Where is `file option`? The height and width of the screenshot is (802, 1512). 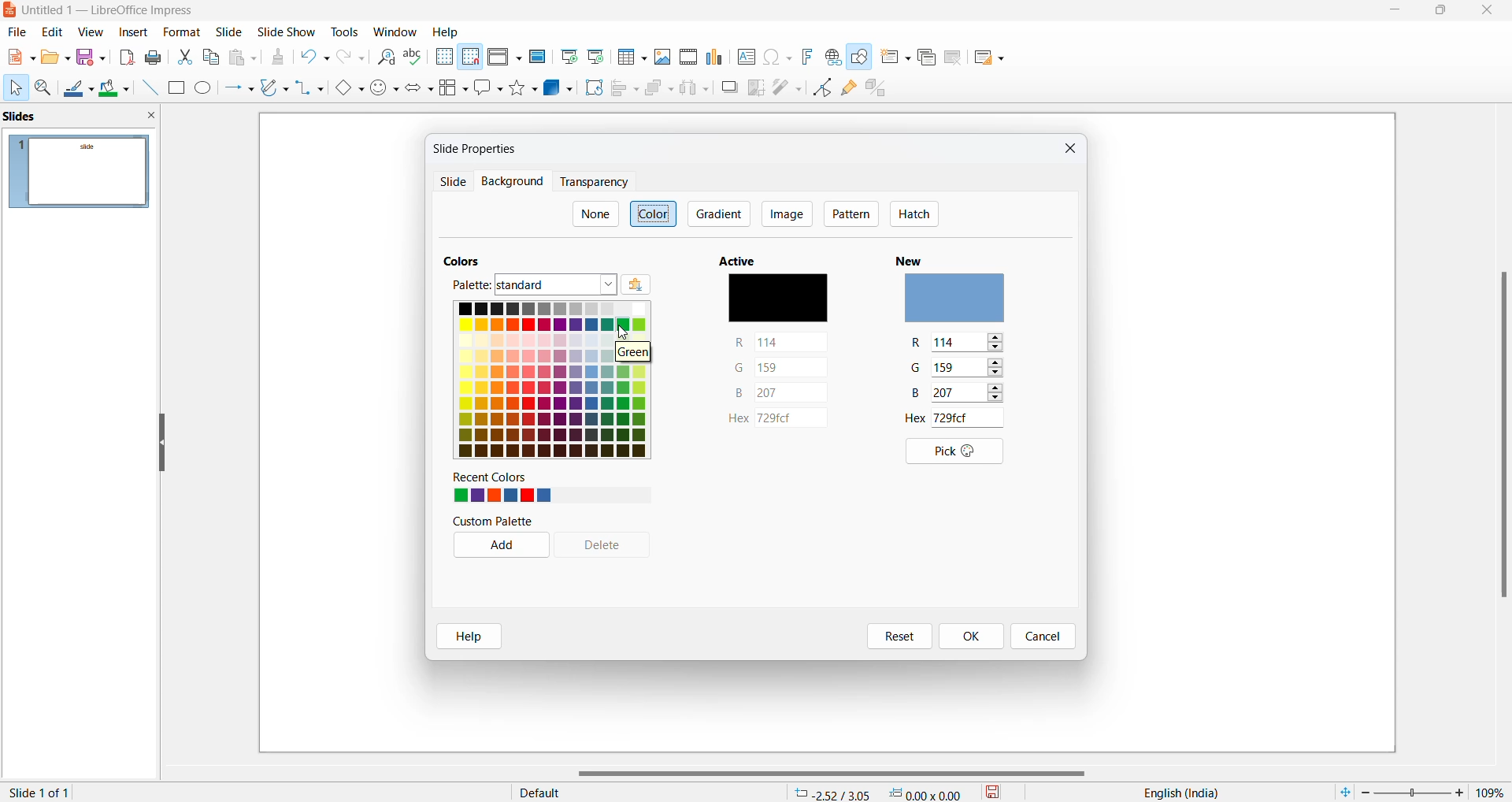
file option is located at coordinates (56, 58).